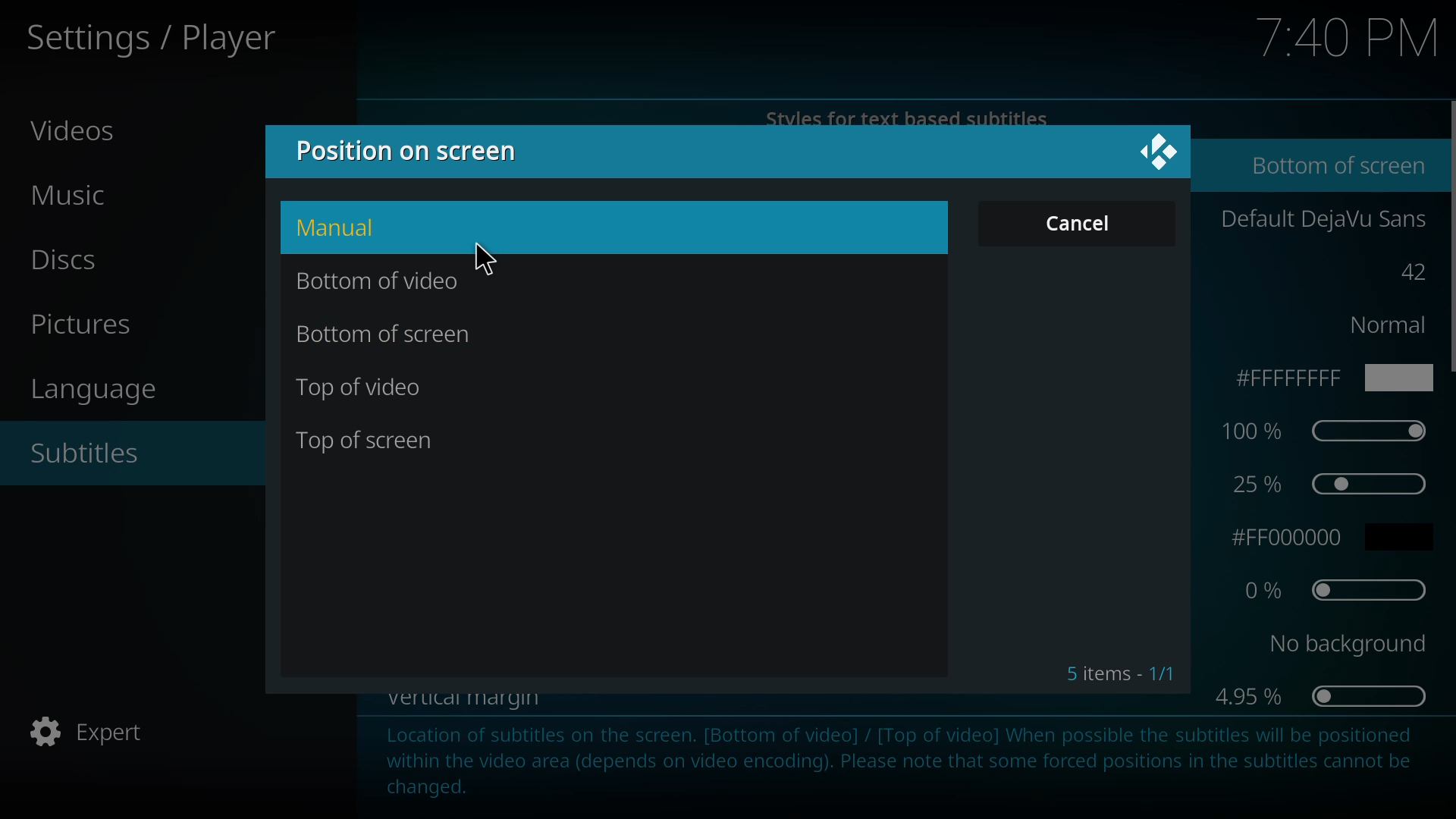 The image size is (1456, 819). What do you see at coordinates (1412, 271) in the screenshot?
I see `42` at bounding box center [1412, 271].